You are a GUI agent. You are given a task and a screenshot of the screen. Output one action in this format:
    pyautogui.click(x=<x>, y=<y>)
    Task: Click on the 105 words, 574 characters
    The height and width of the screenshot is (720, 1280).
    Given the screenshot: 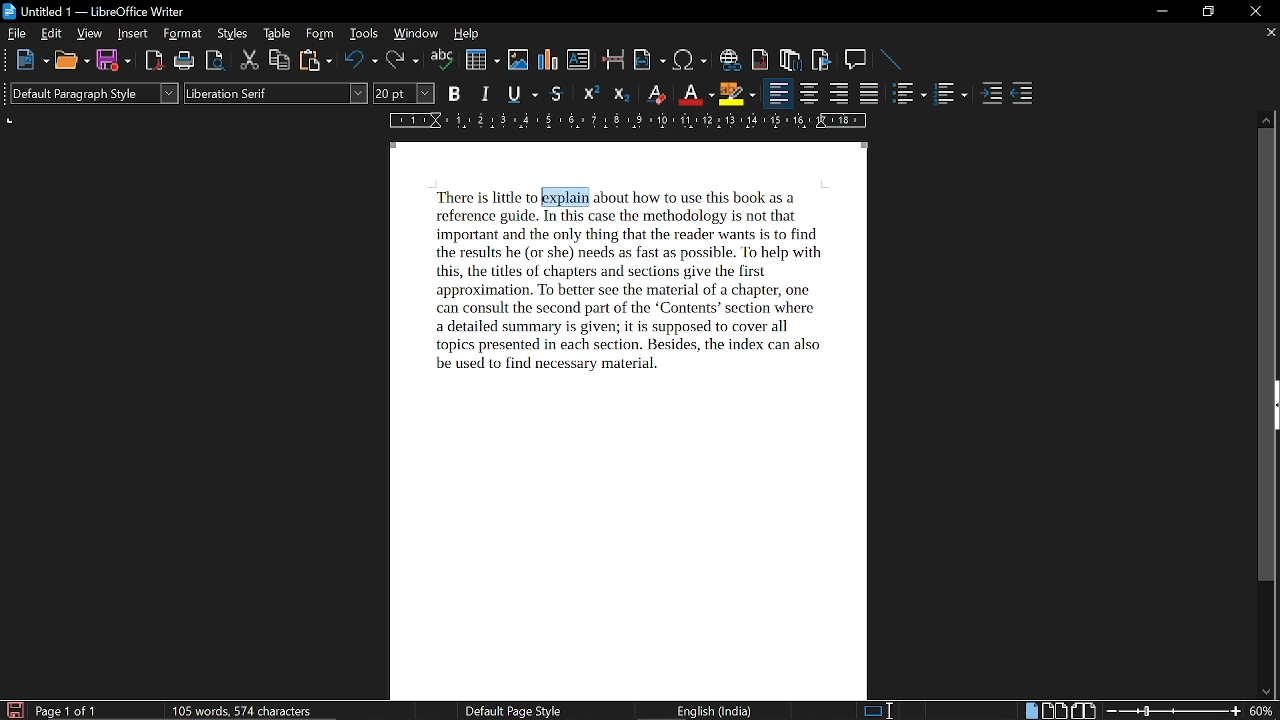 What is the action you would take?
    pyautogui.click(x=241, y=712)
    